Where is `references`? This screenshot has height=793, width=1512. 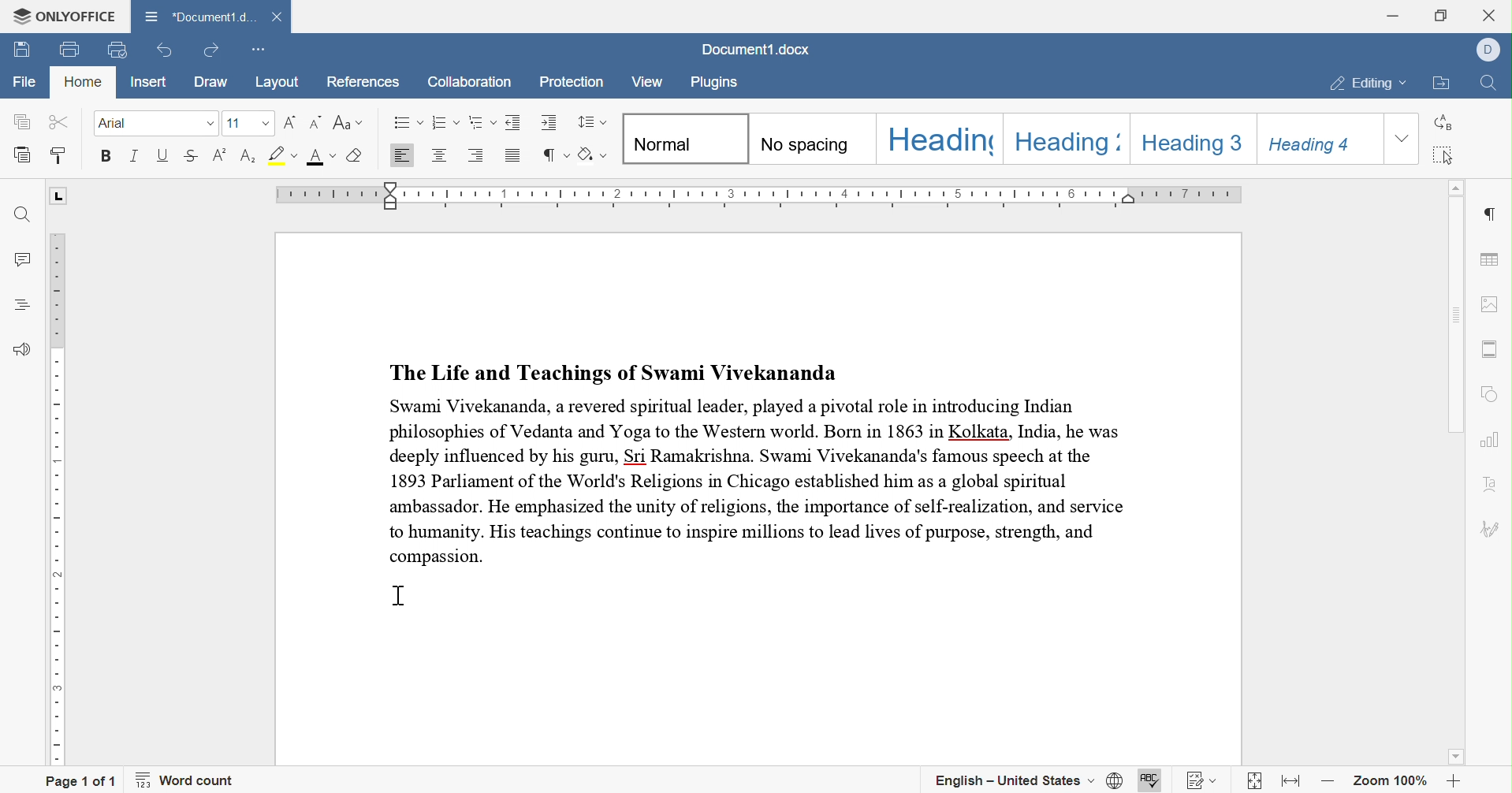 references is located at coordinates (362, 83).